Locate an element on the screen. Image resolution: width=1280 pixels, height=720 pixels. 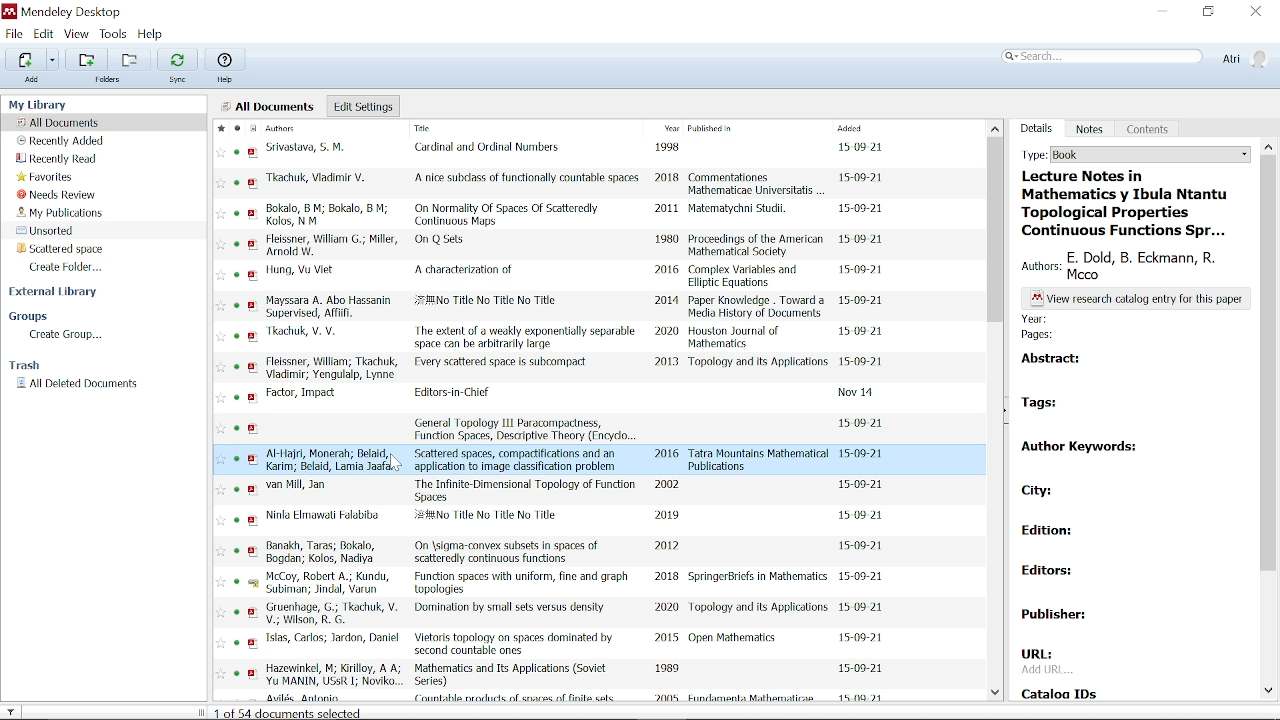
2019 is located at coordinates (666, 514).